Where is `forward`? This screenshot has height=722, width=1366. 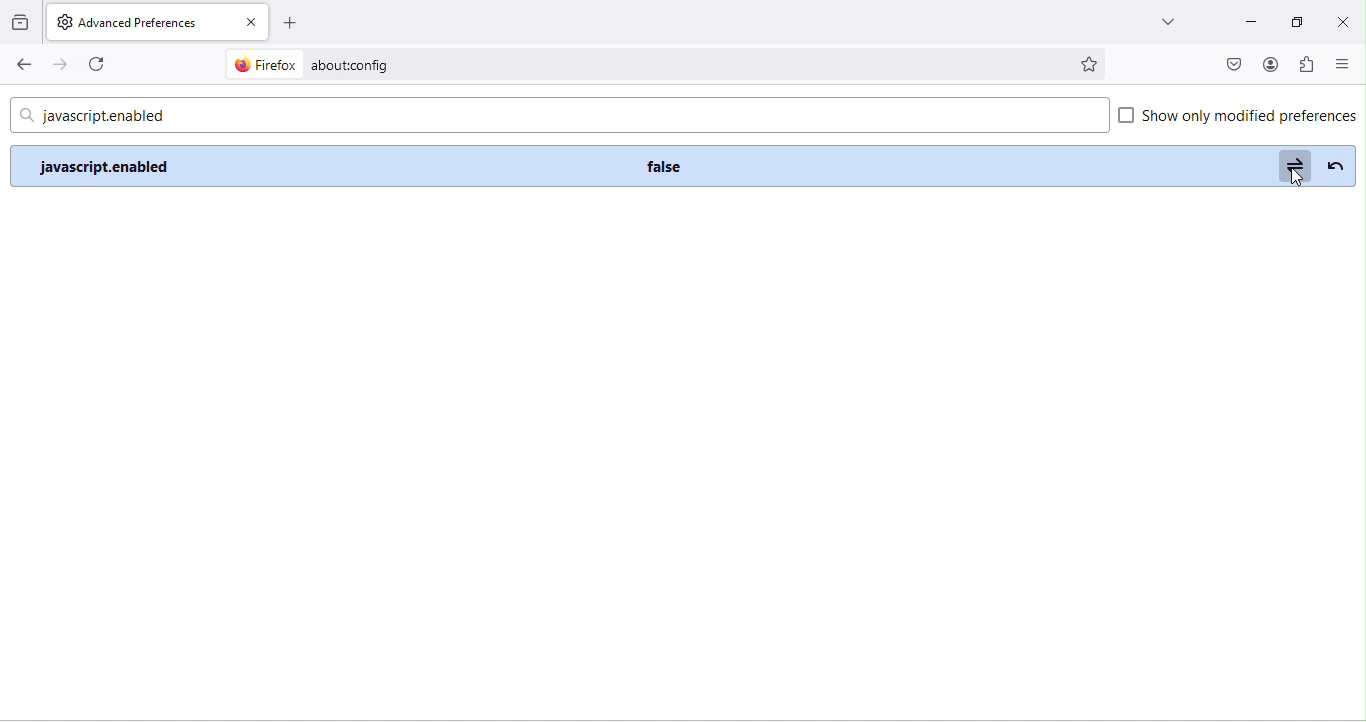
forward is located at coordinates (59, 63).